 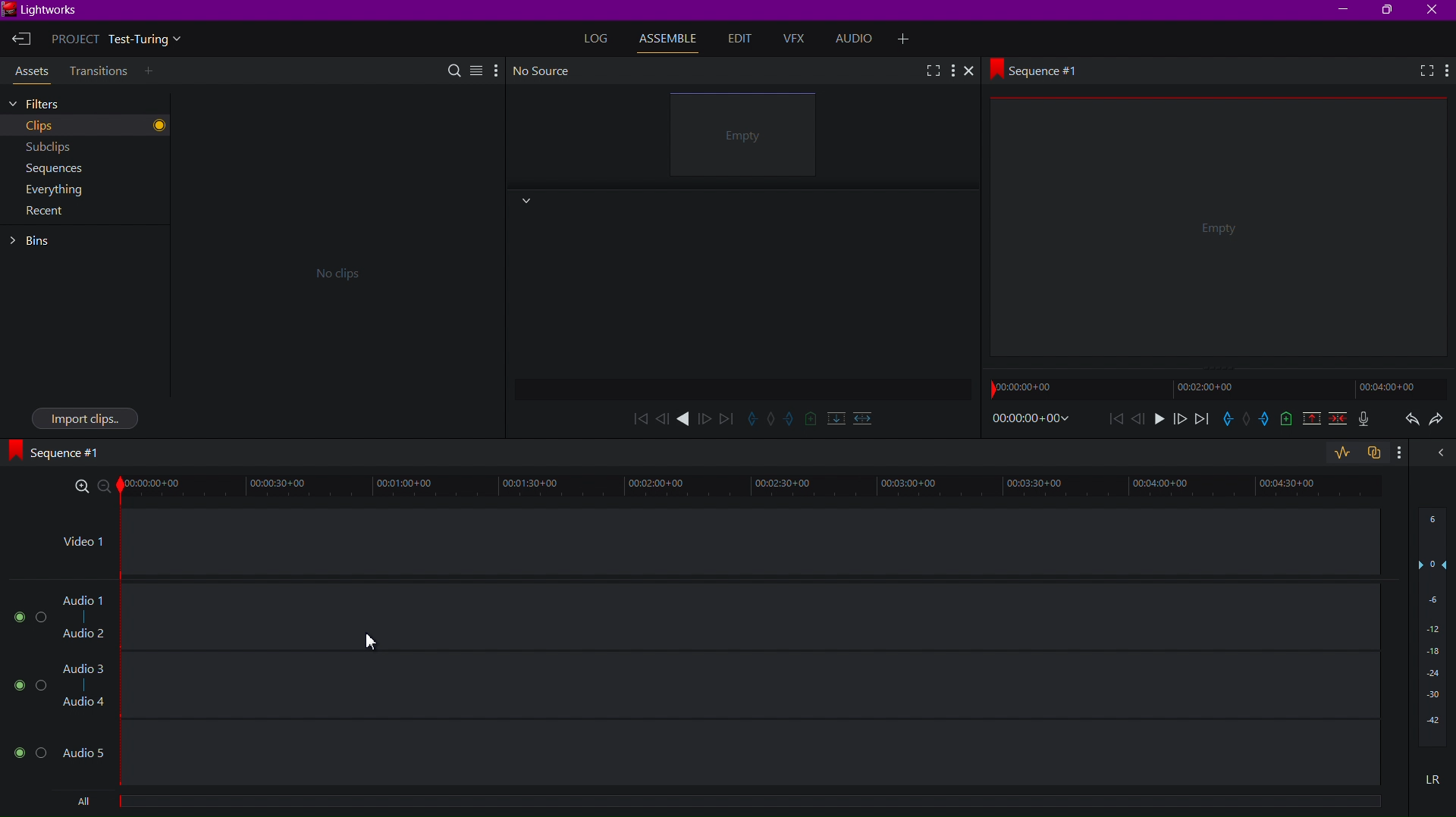 What do you see at coordinates (82, 632) in the screenshot?
I see `Audio 2` at bounding box center [82, 632].